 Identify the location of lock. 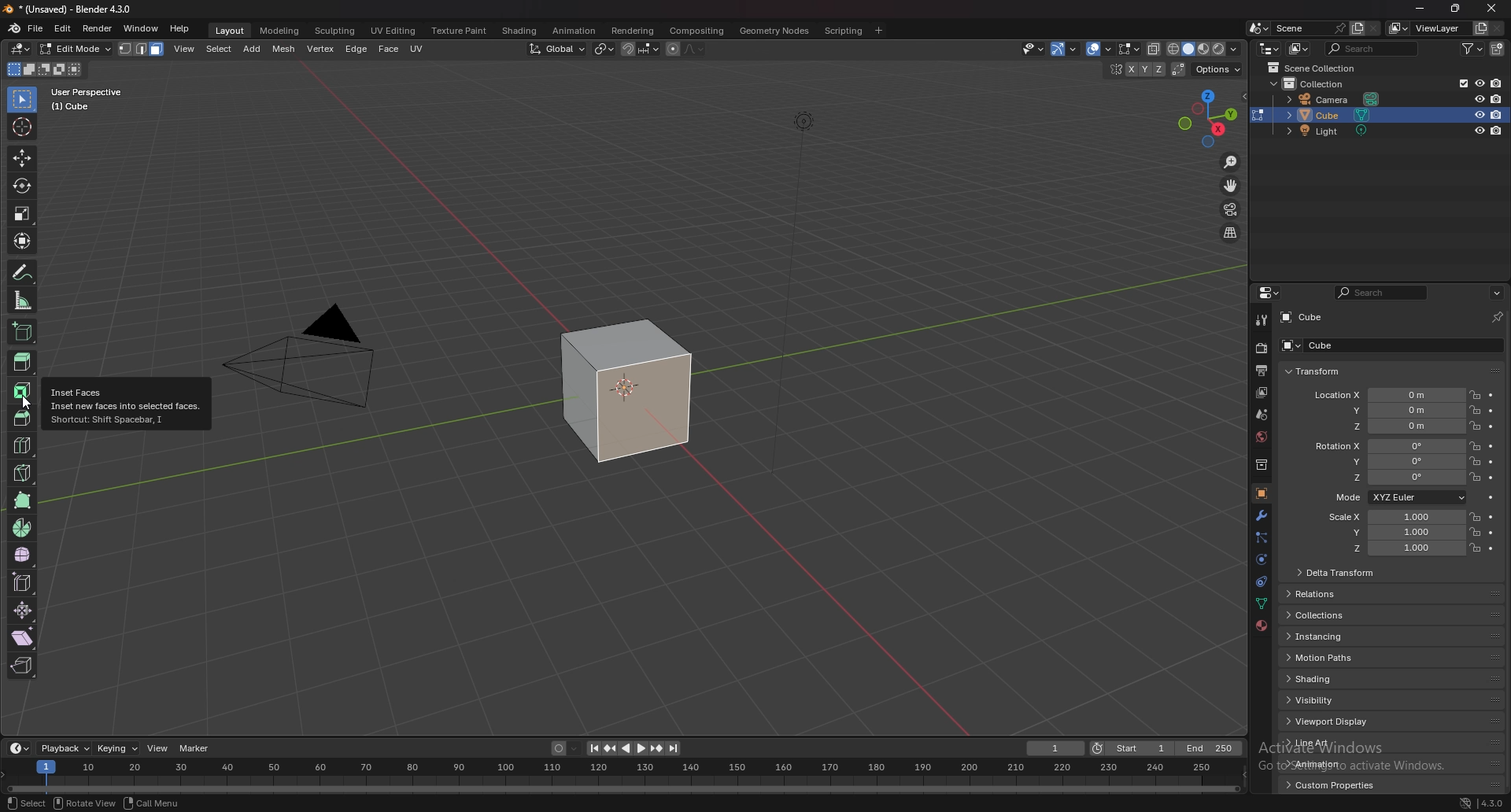
(1475, 409).